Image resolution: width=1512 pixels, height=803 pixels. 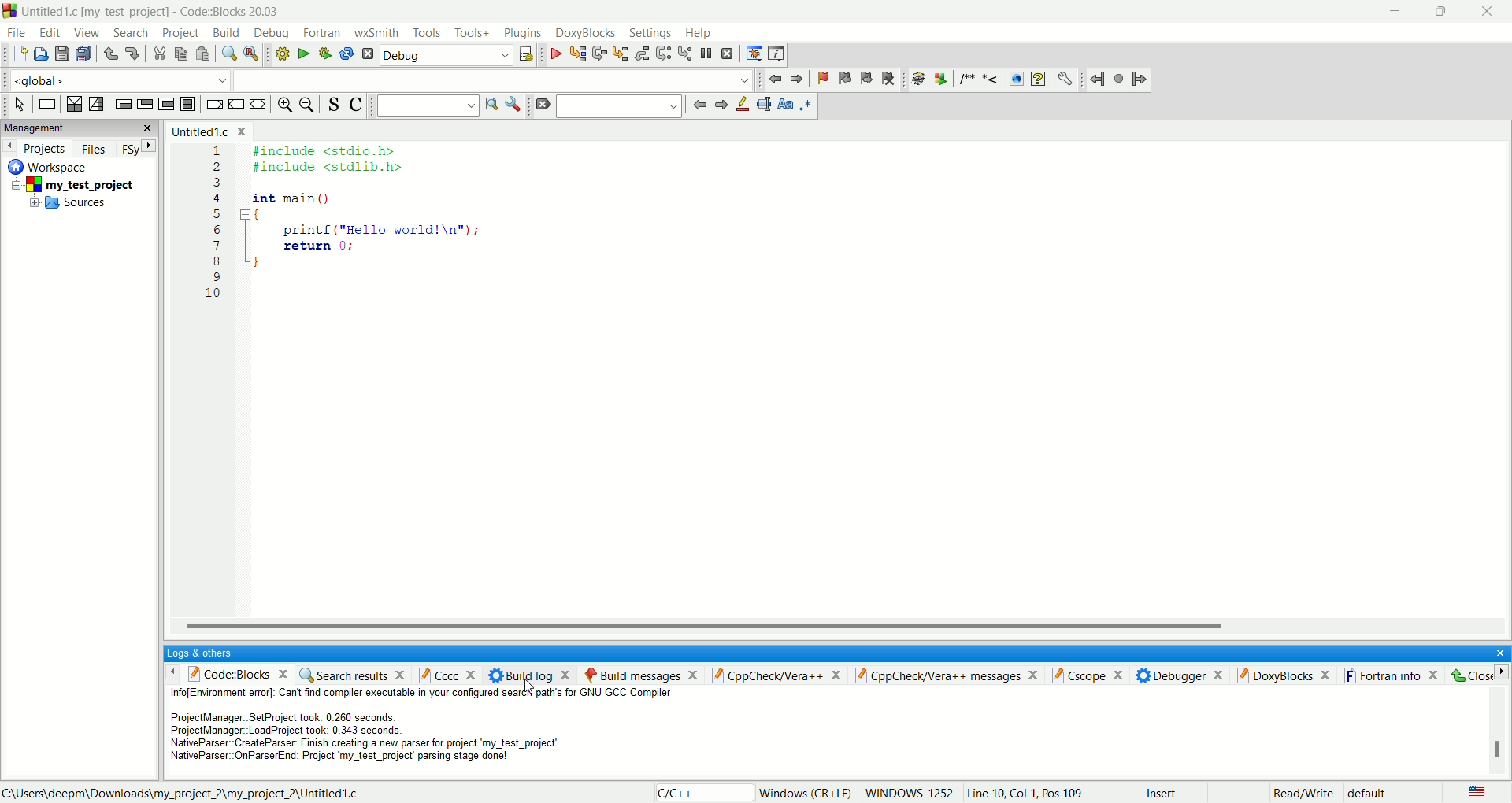 I want to click on replace, so click(x=250, y=54).